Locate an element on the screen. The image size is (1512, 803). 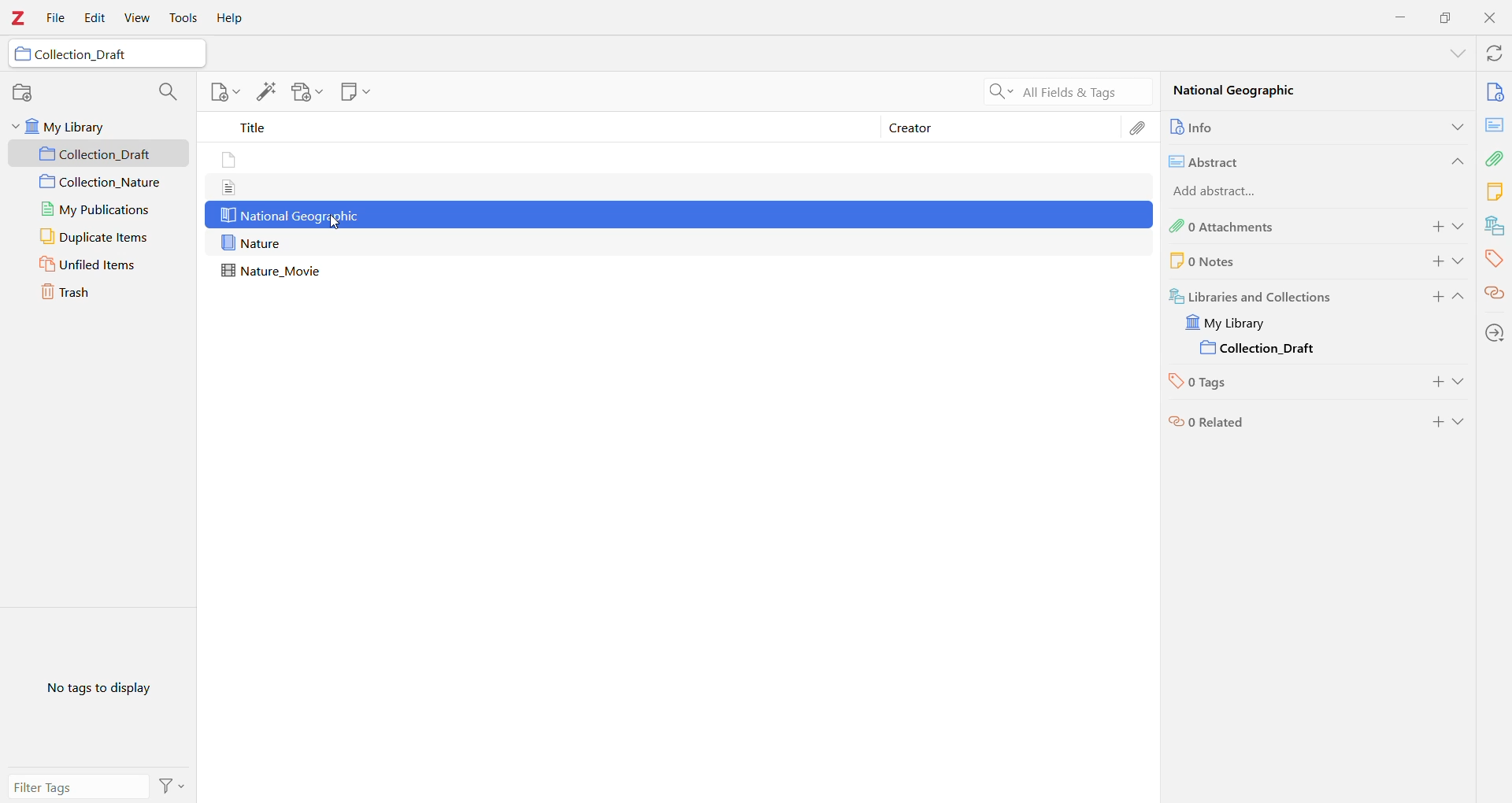
Locate is located at coordinates (1495, 332).